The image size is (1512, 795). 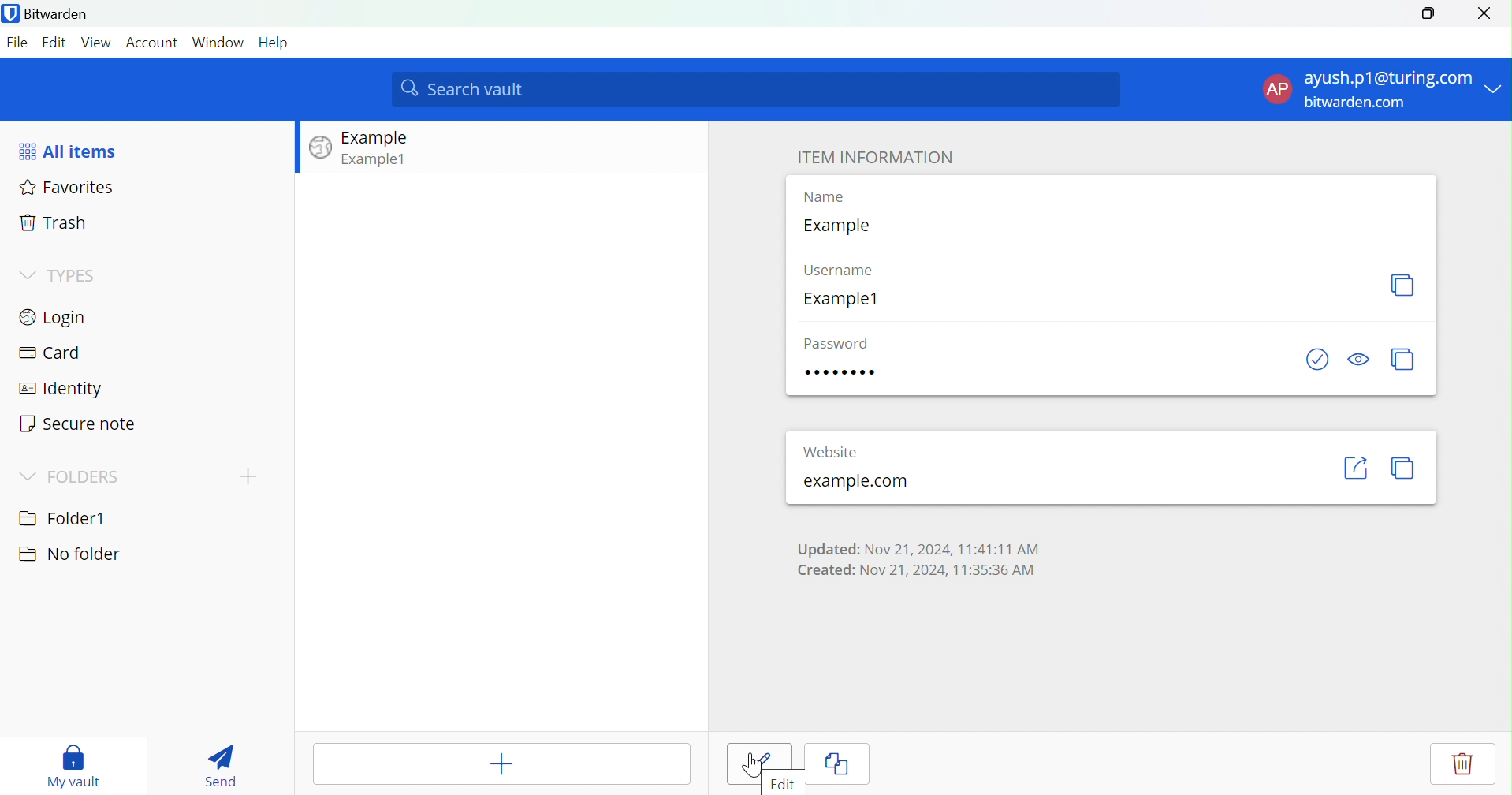 What do you see at coordinates (426, 180) in the screenshot?
I see `View item` at bounding box center [426, 180].